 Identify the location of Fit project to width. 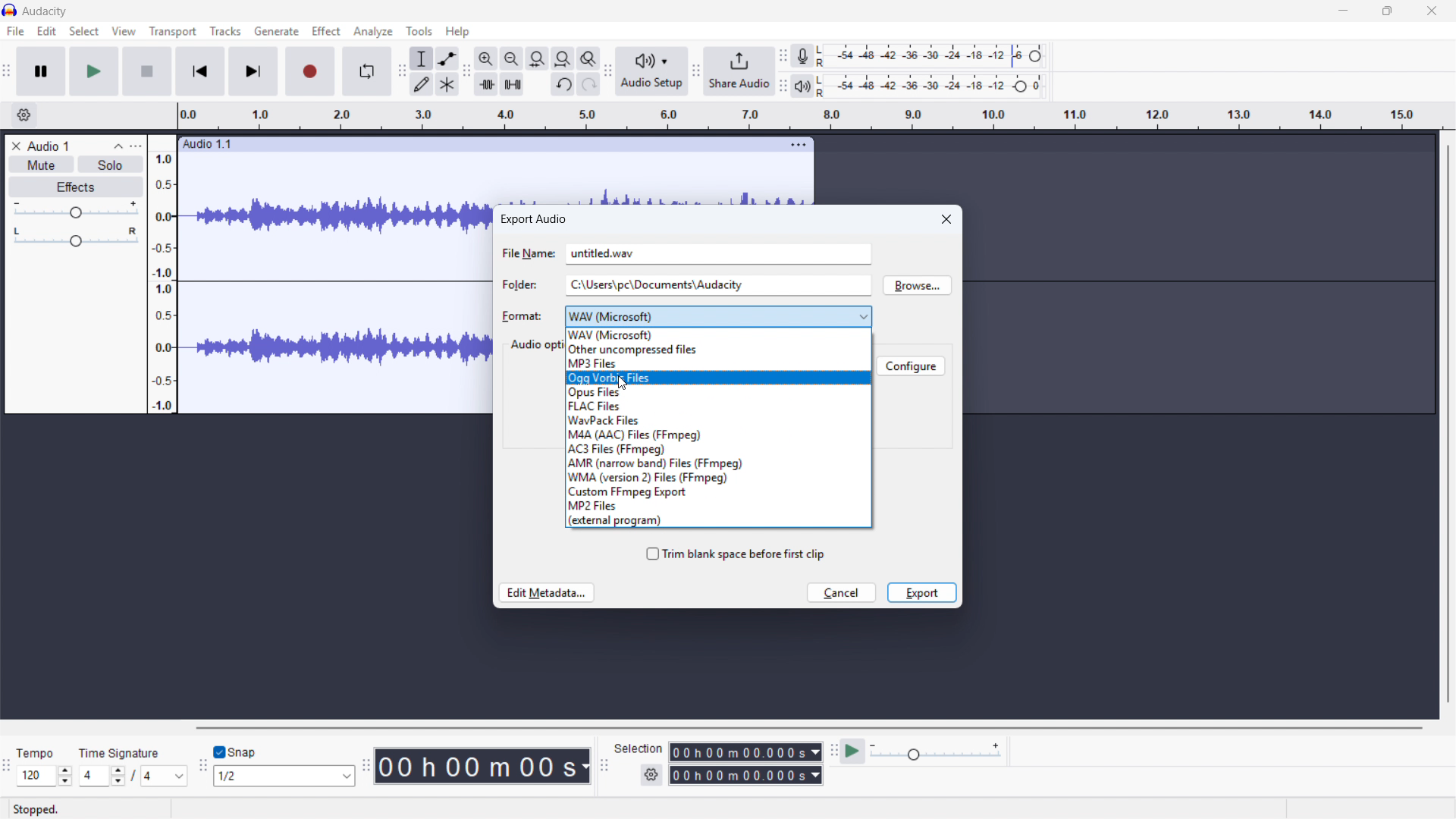
(563, 58).